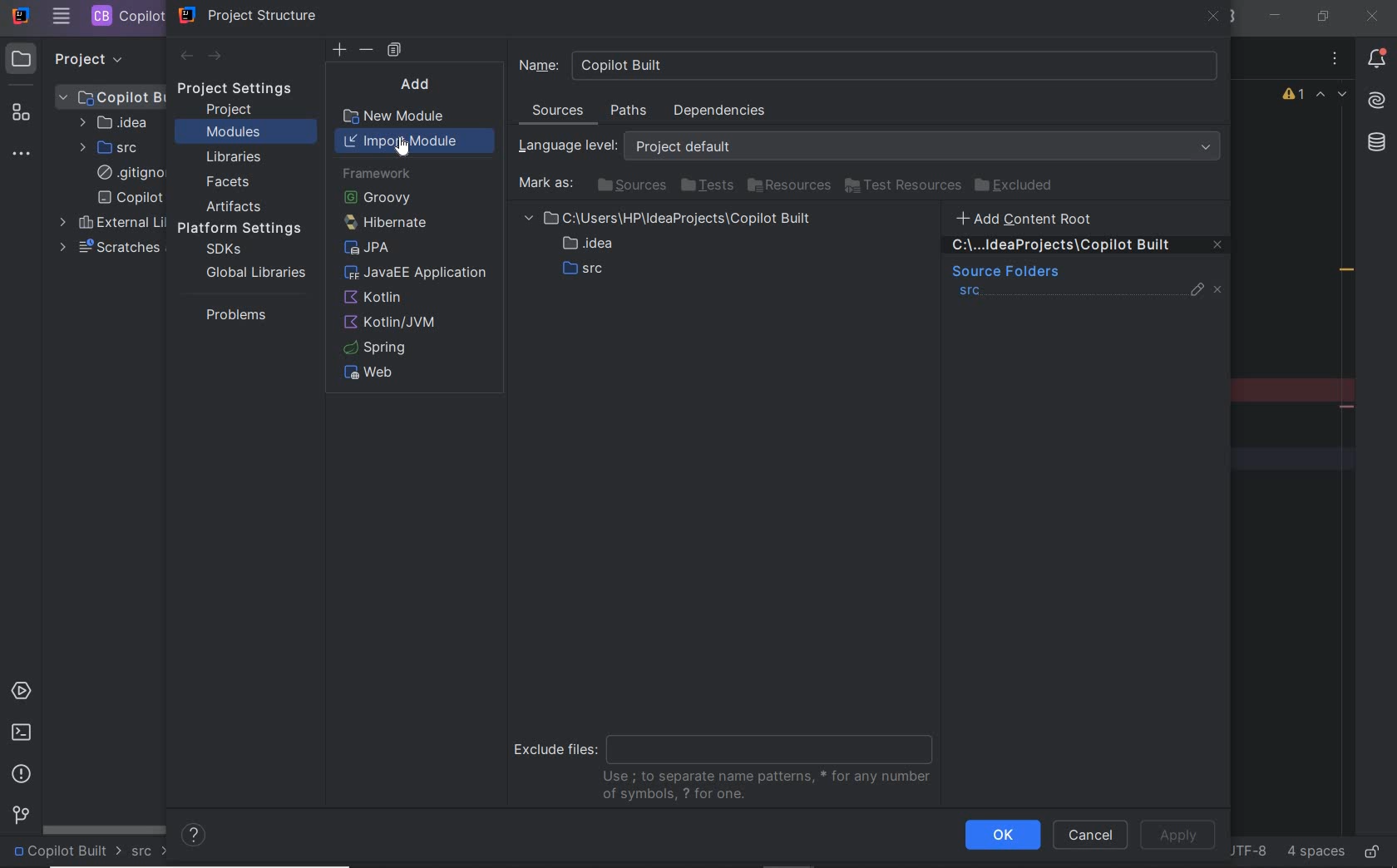 This screenshot has height=868, width=1397. Describe the element at coordinates (253, 272) in the screenshot. I see `global libraries` at that location.